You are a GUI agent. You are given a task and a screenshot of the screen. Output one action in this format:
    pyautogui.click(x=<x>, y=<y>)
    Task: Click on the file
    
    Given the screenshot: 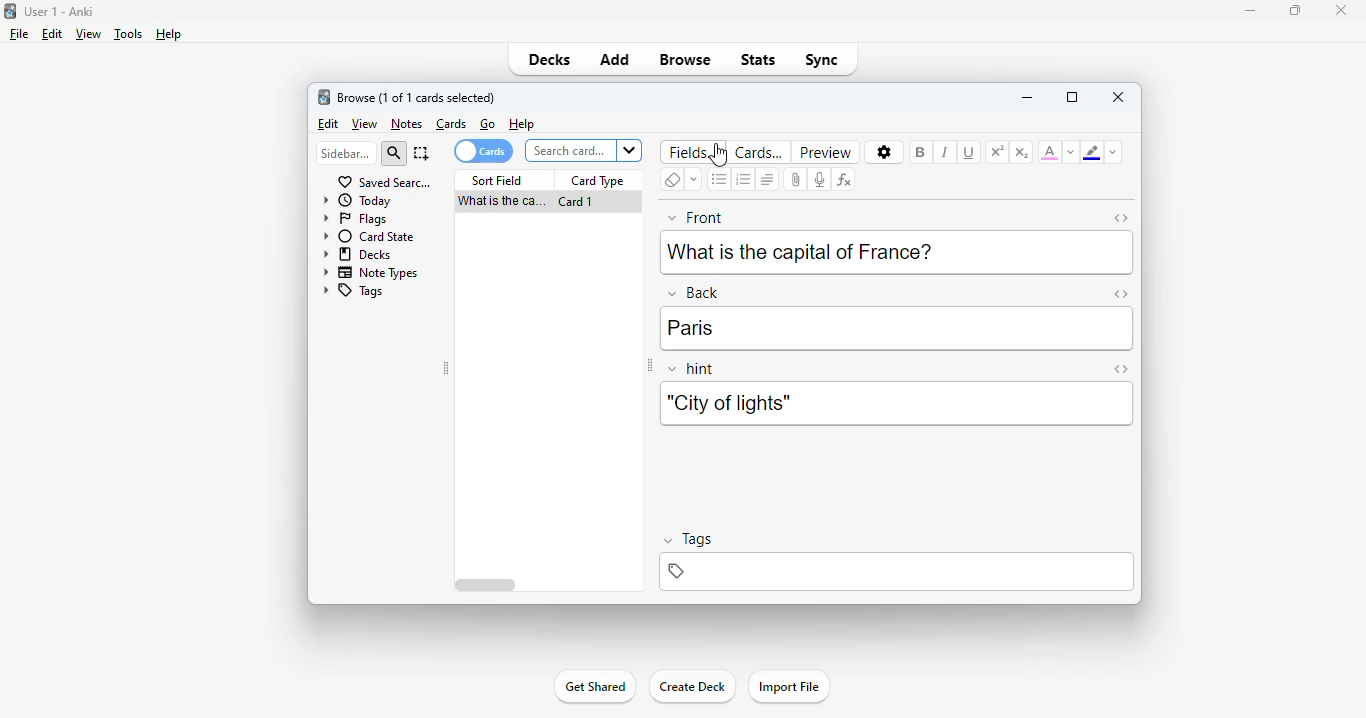 What is the action you would take?
    pyautogui.click(x=19, y=34)
    